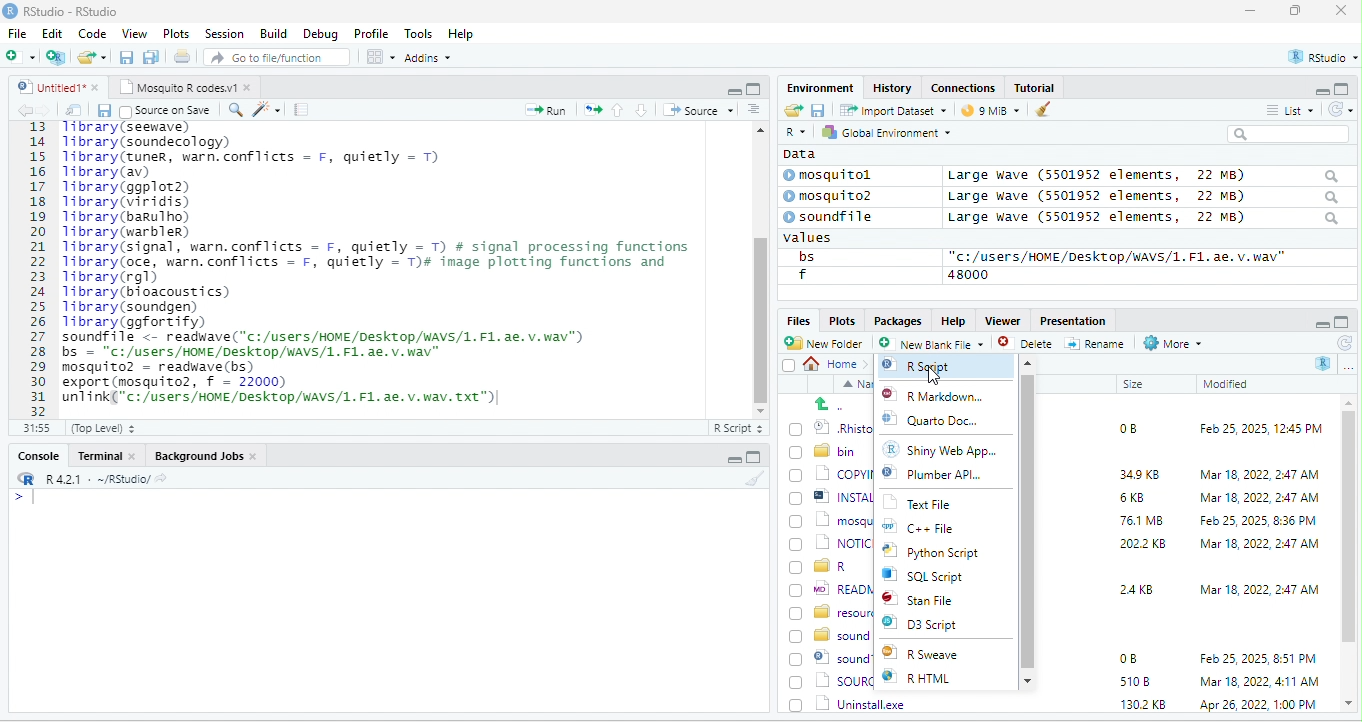  I want to click on © Rhistory, so click(833, 426).